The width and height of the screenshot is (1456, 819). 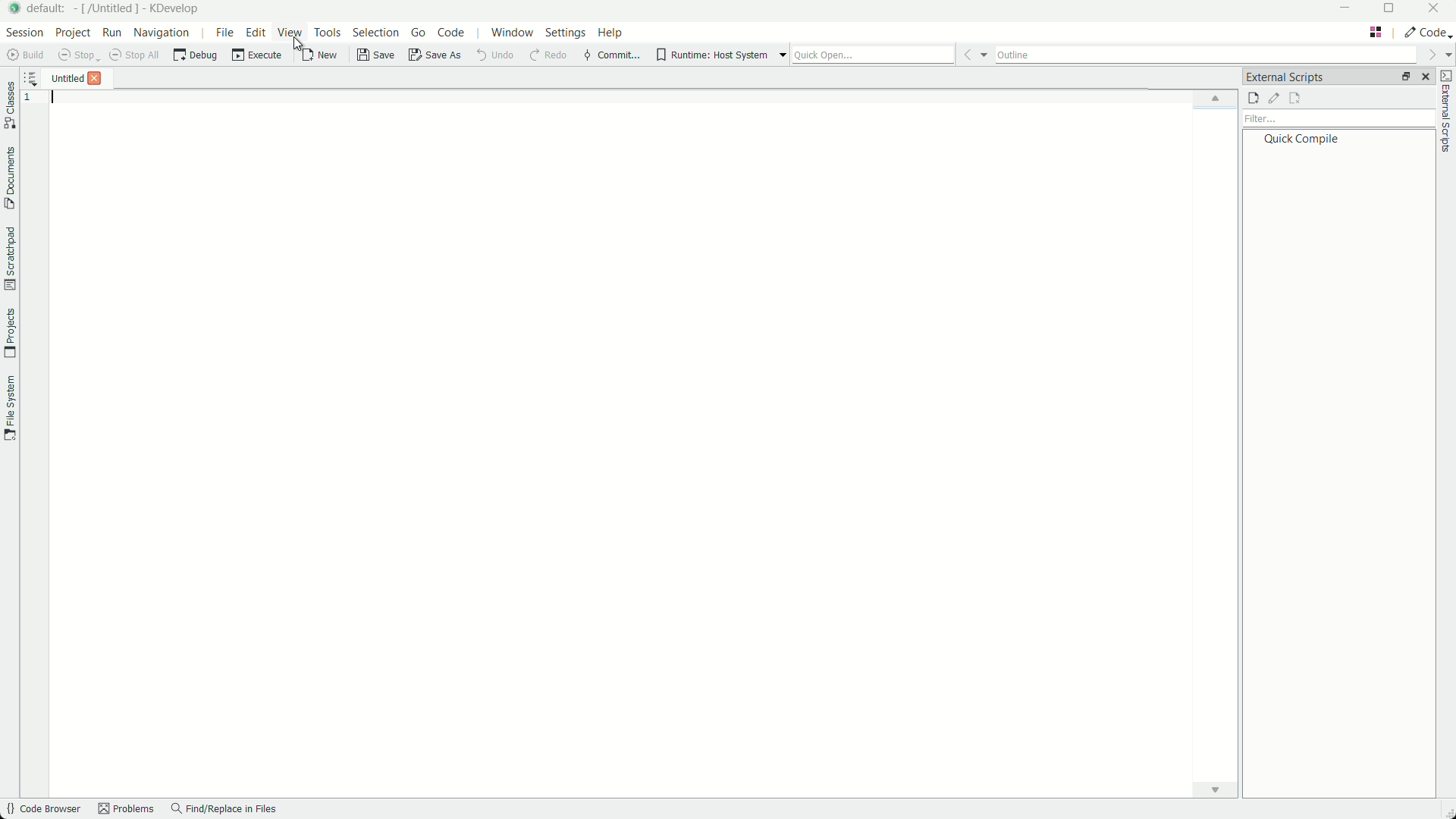 I want to click on edit external scripts, so click(x=1274, y=99).